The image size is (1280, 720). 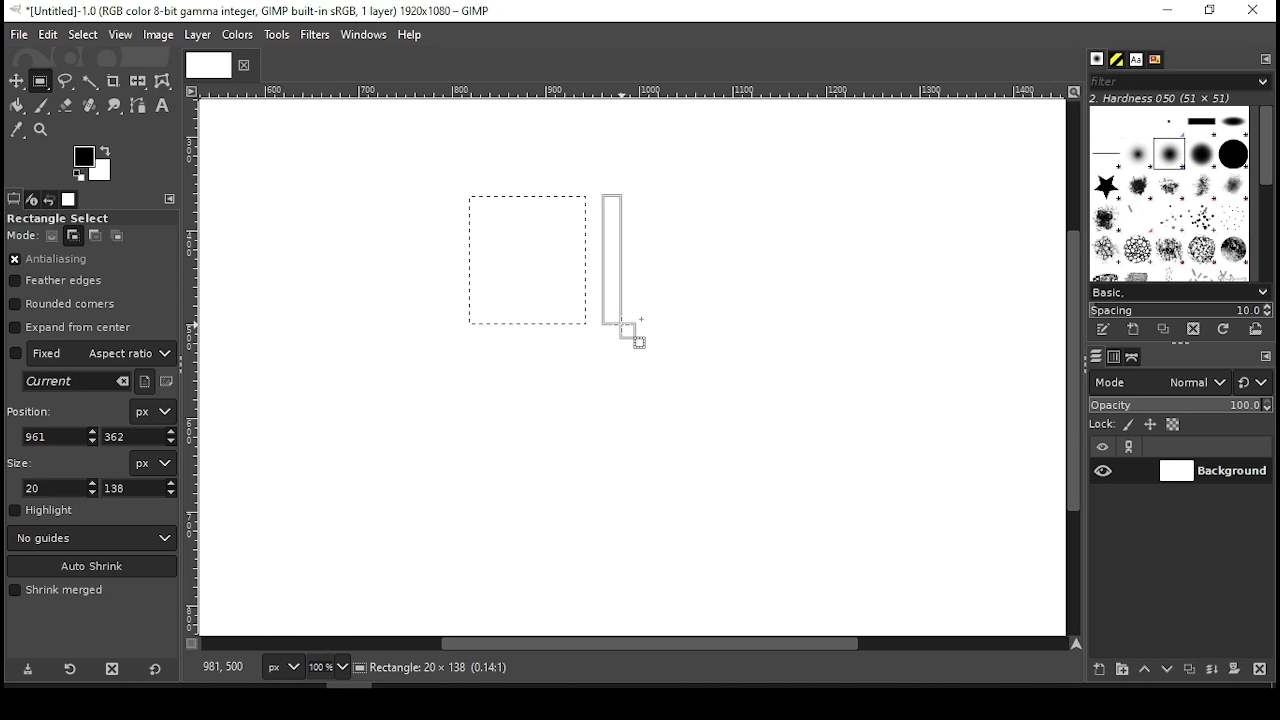 What do you see at coordinates (1180, 310) in the screenshot?
I see `spacing` at bounding box center [1180, 310].